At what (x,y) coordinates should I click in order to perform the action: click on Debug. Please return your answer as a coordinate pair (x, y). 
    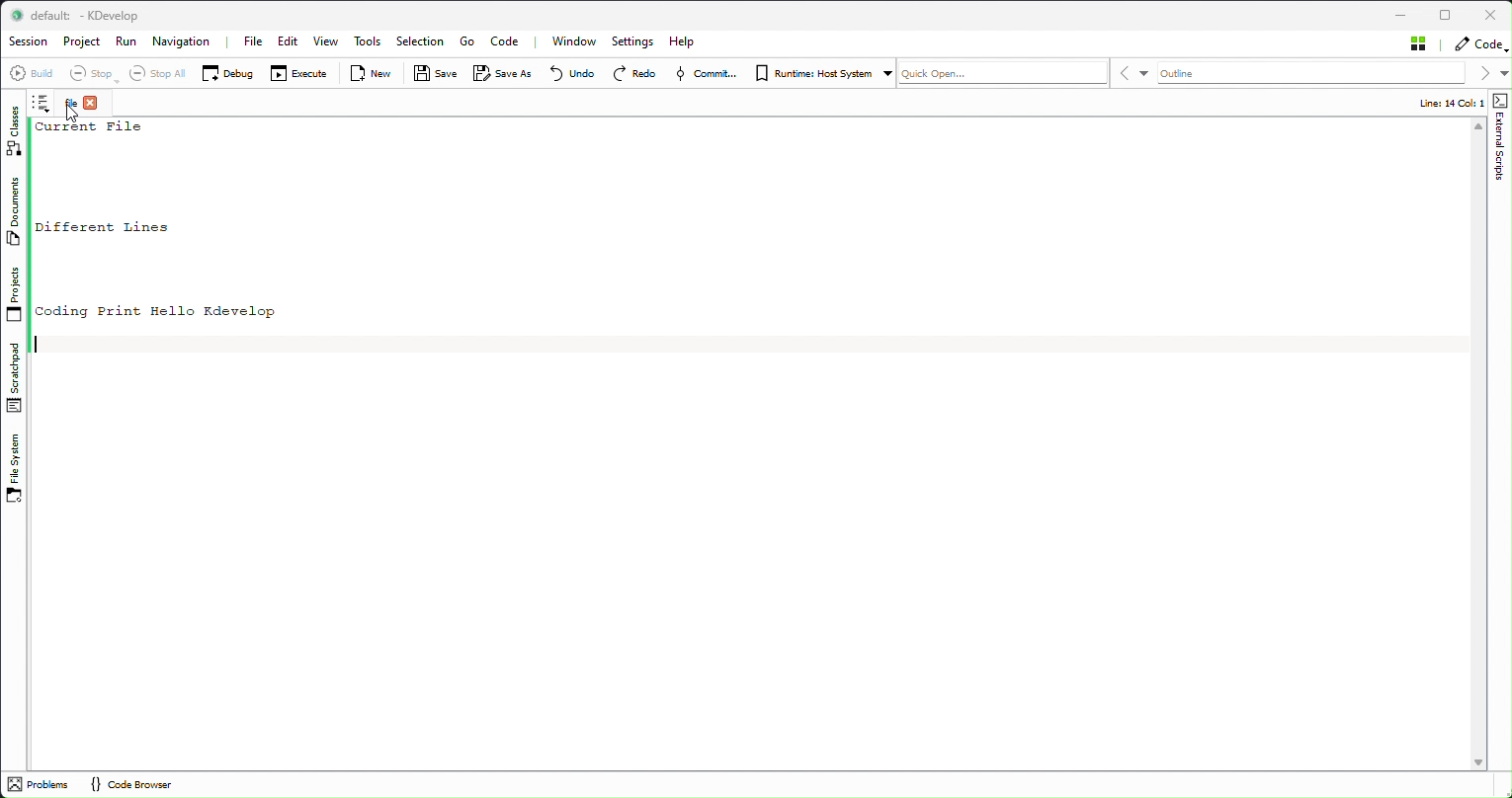
    Looking at the image, I should click on (230, 73).